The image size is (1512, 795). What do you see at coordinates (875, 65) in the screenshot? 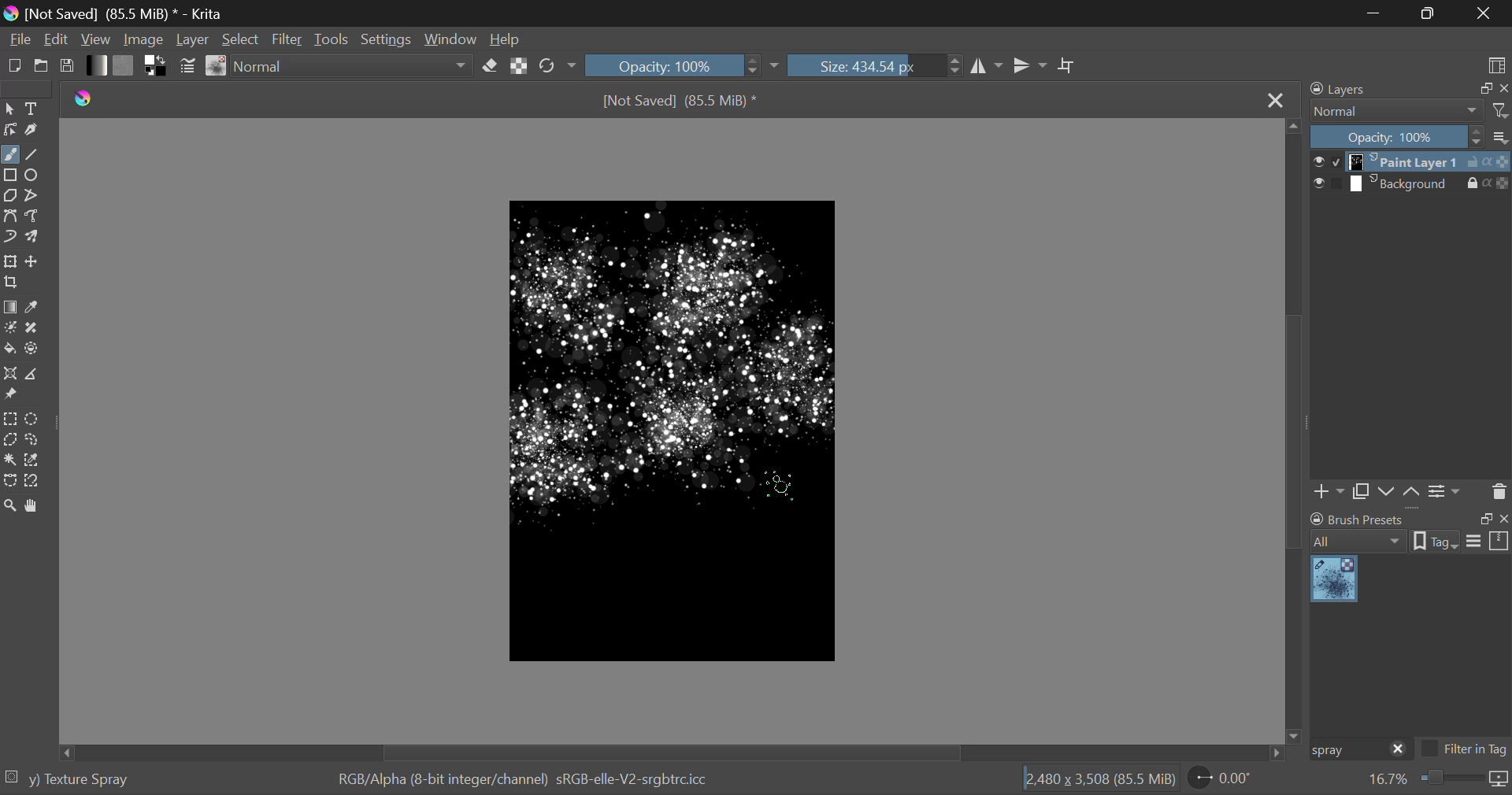
I see `Brush Size` at bounding box center [875, 65].